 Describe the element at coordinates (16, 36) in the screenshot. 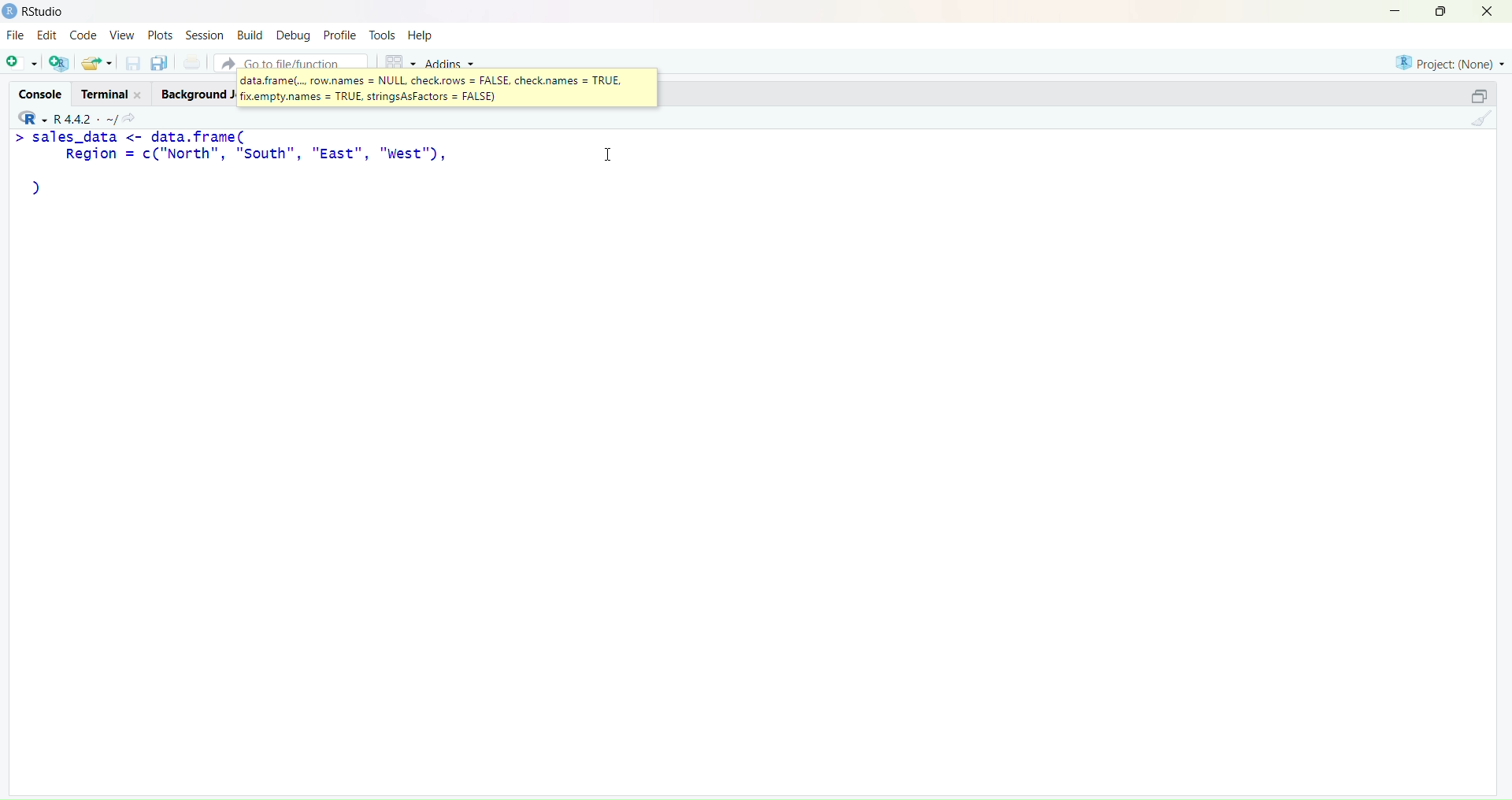

I see `File` at that location.